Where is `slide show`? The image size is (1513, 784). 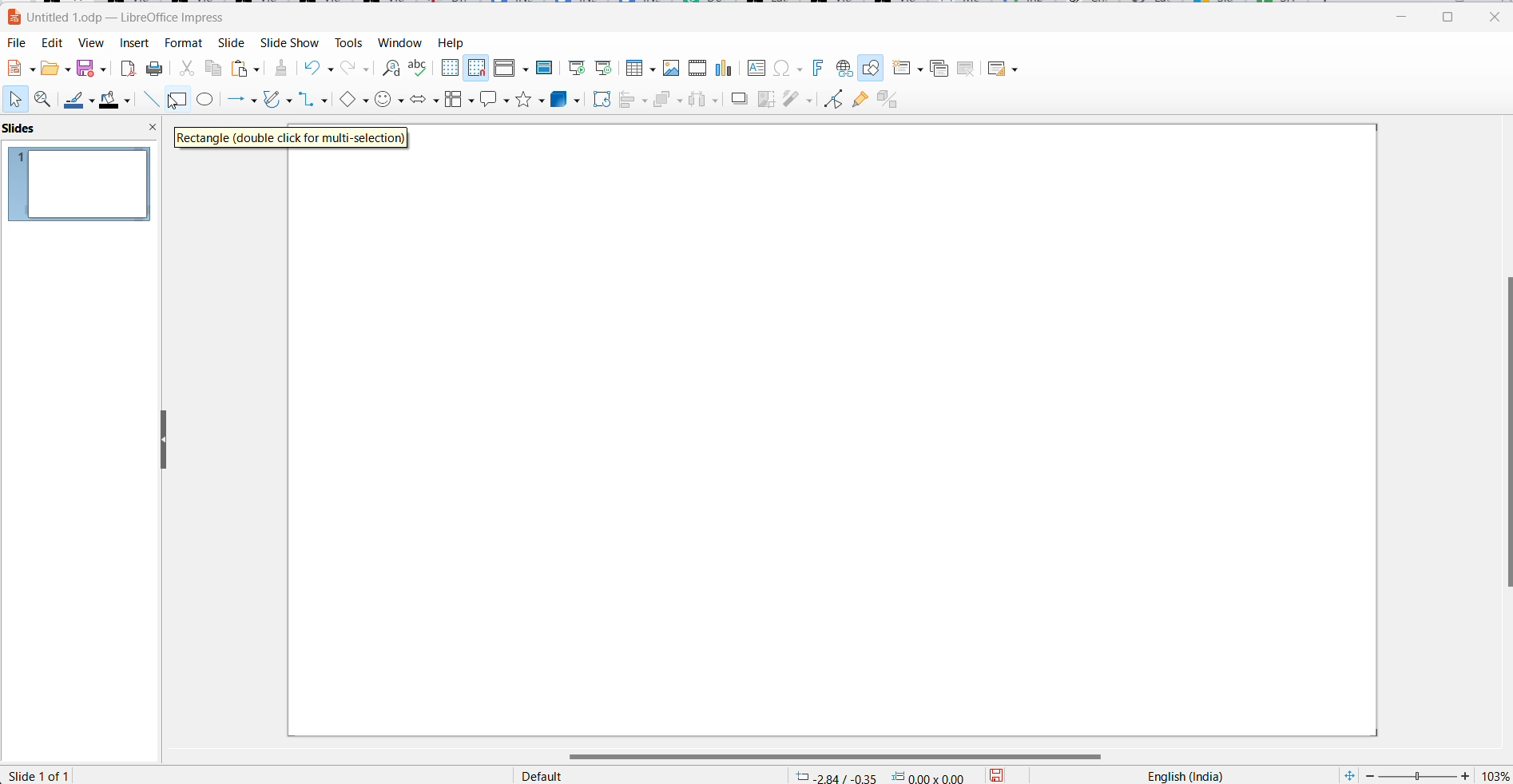
slide show is located at coordinates (288, 44).